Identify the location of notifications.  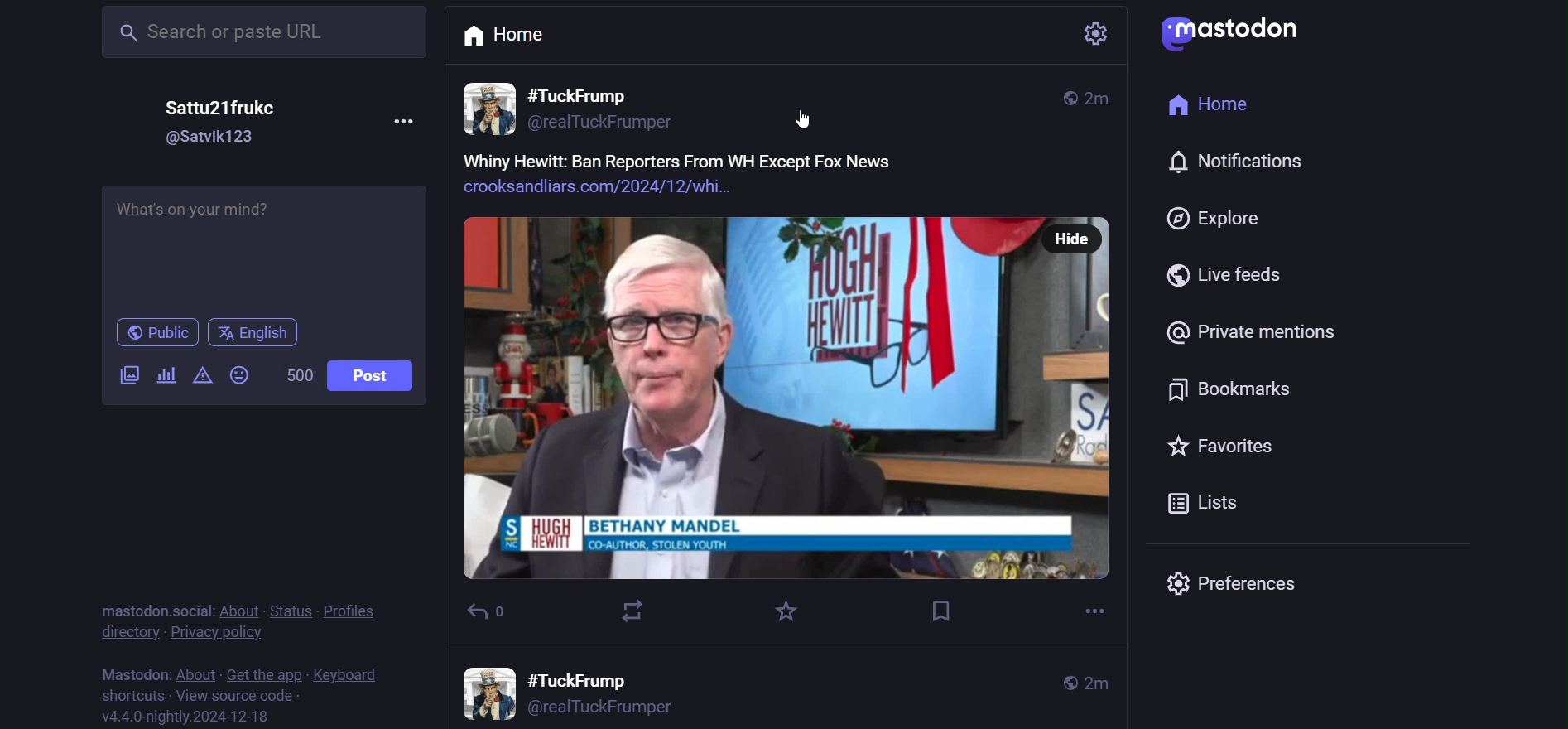
(1232, 163).